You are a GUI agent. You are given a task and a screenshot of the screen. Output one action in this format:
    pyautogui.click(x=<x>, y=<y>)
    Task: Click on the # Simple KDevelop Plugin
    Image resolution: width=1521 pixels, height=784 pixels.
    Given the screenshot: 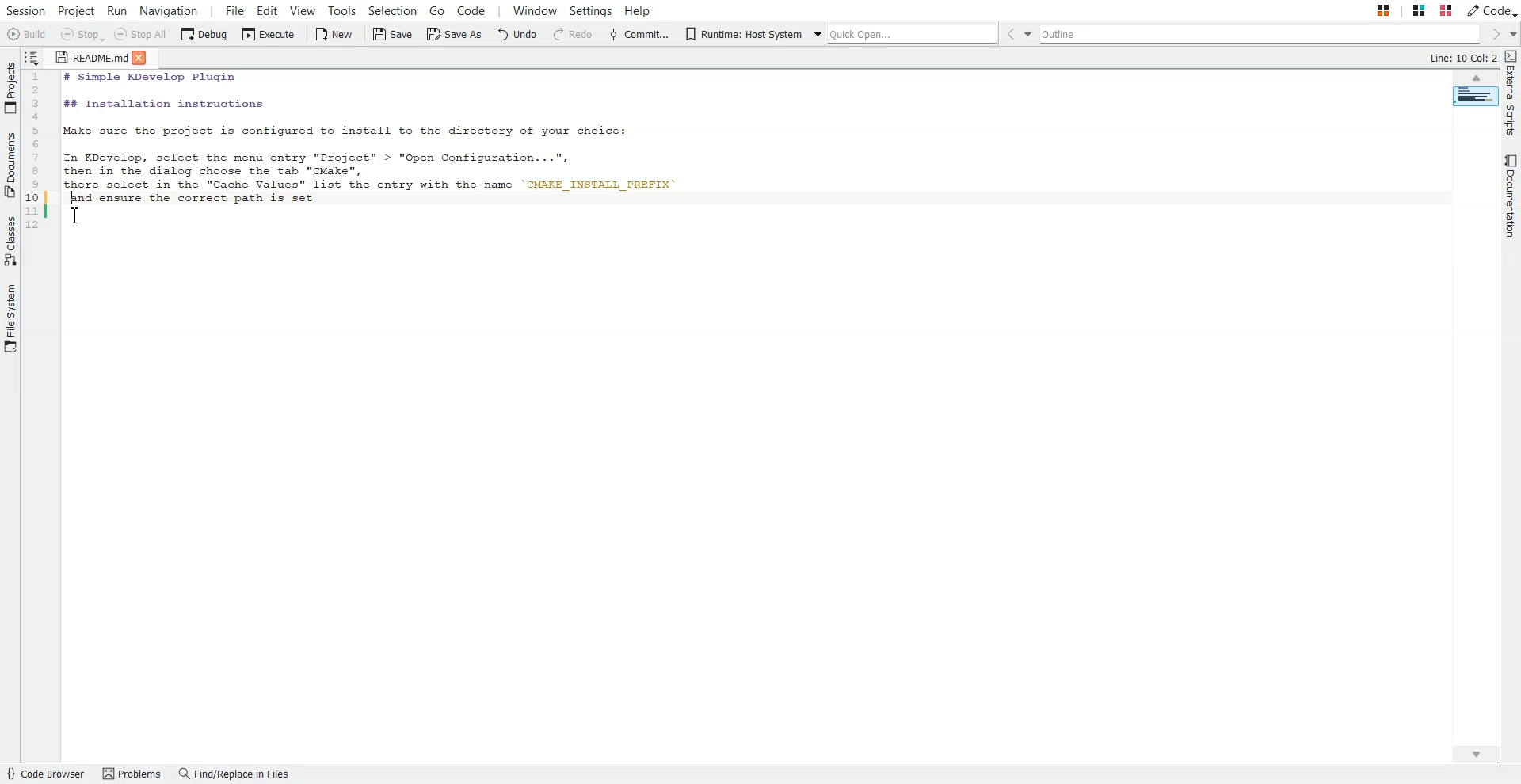 What is the action you would take?
    pyautogui.click(x=147, y=78)
    